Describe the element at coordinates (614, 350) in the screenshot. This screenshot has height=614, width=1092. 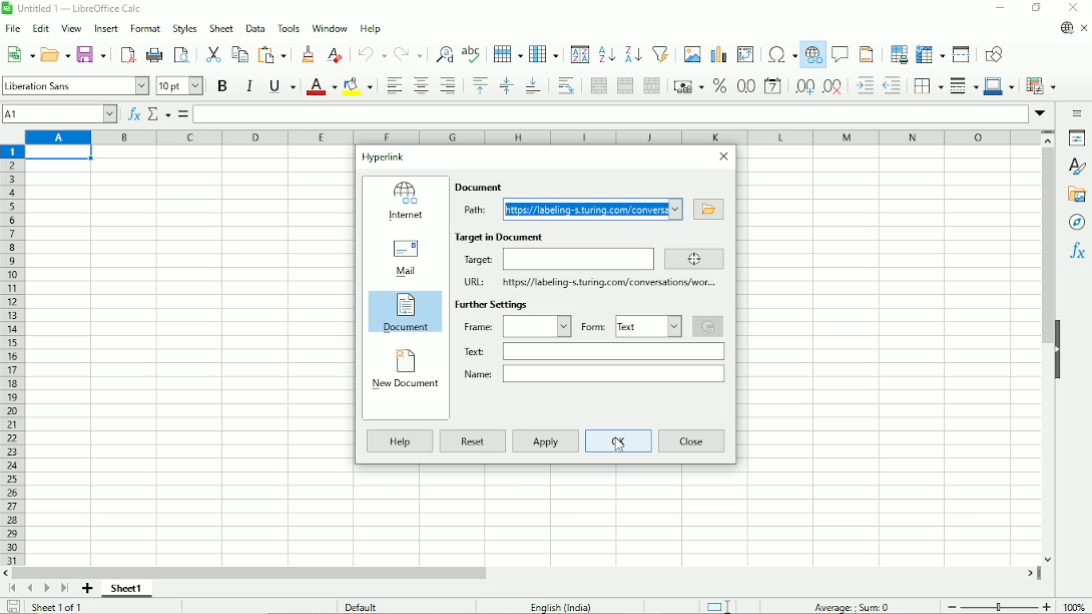
I see `Input` at that location.